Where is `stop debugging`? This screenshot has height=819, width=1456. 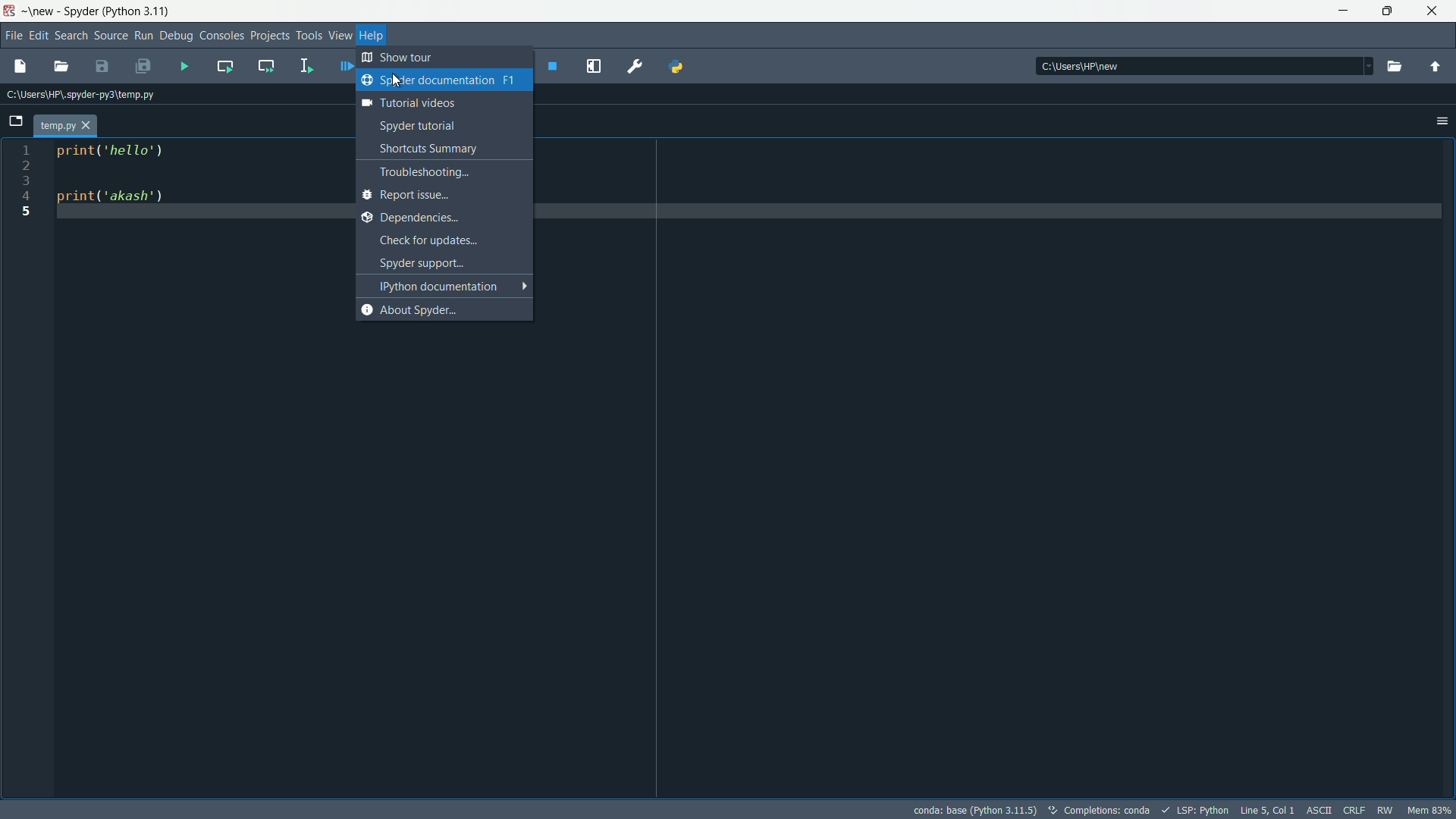 stop debugging is located at coordinates (554, 66).